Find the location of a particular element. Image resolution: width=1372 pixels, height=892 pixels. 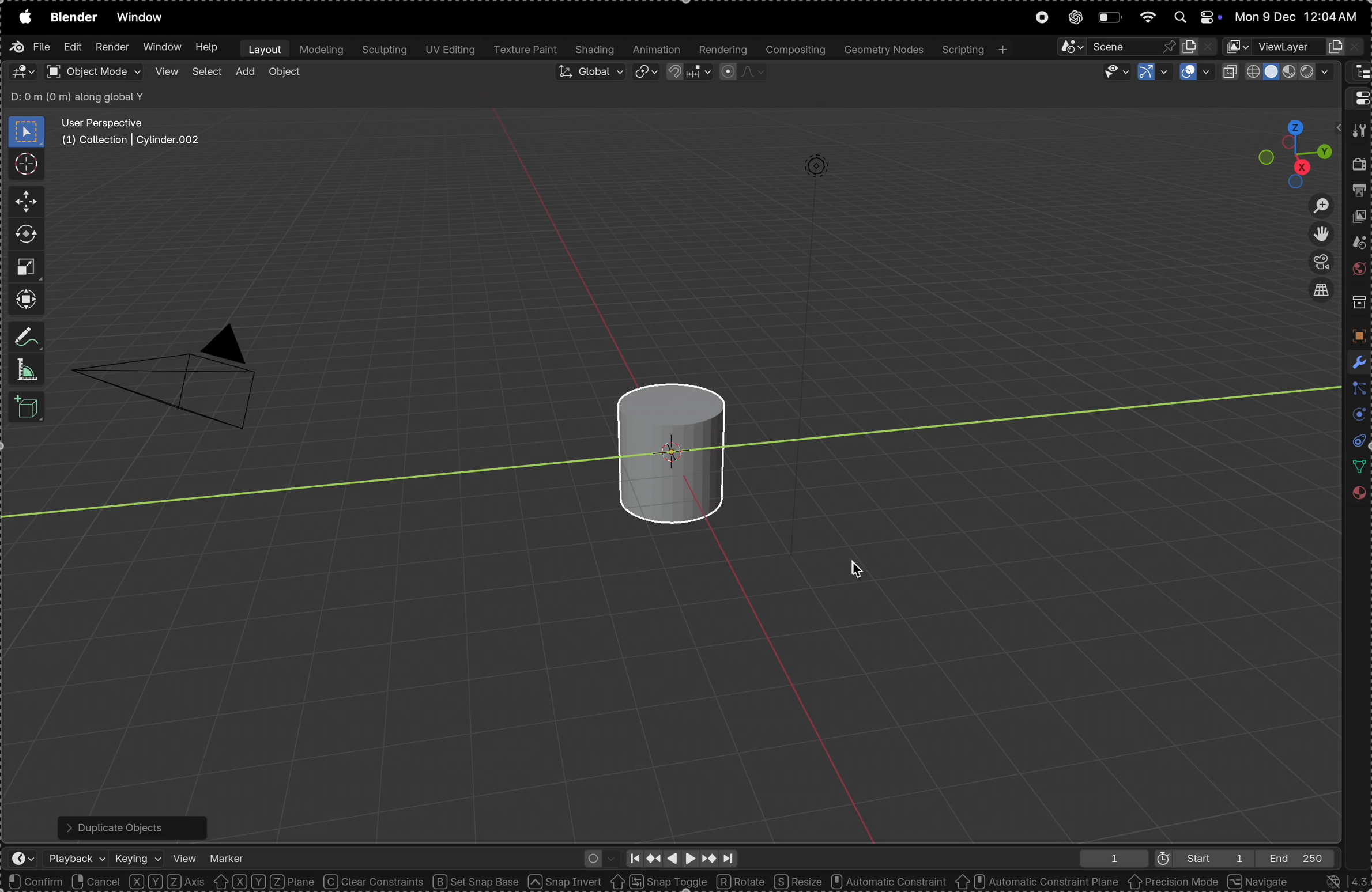

rotate is located at coordinates (26, 235).